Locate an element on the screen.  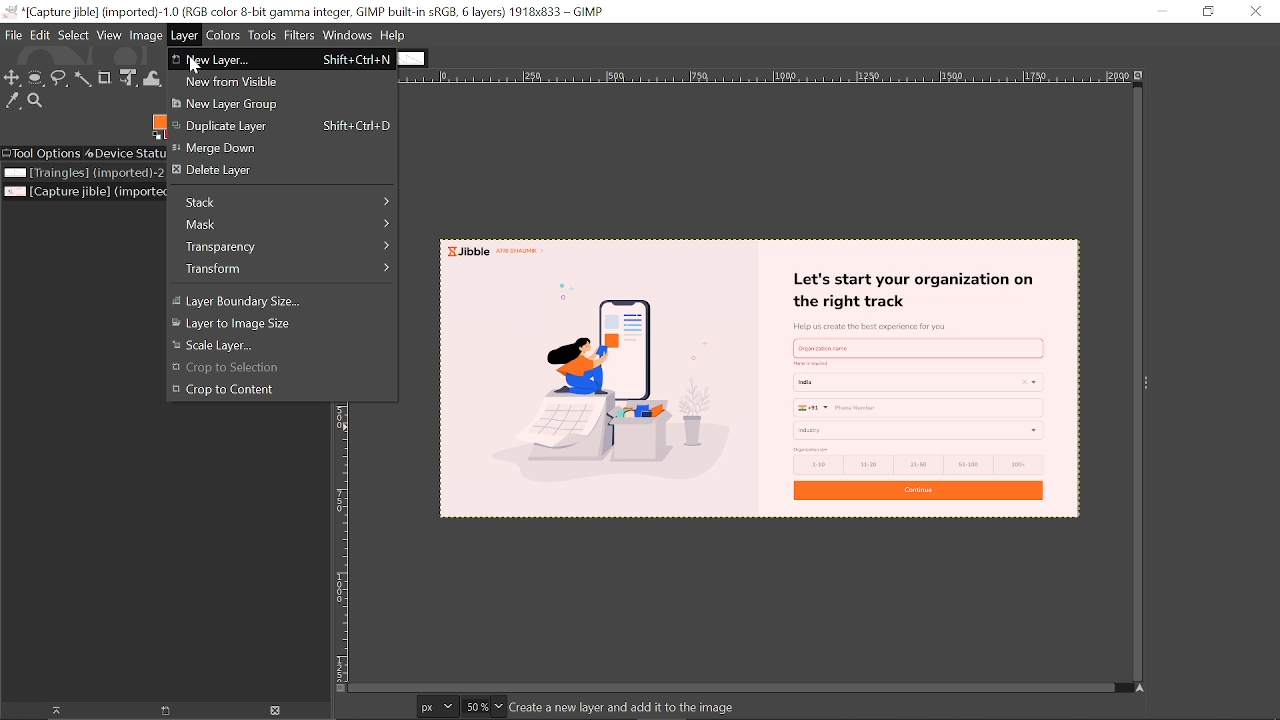
Zoom tool is located at coordinates (37, 101).